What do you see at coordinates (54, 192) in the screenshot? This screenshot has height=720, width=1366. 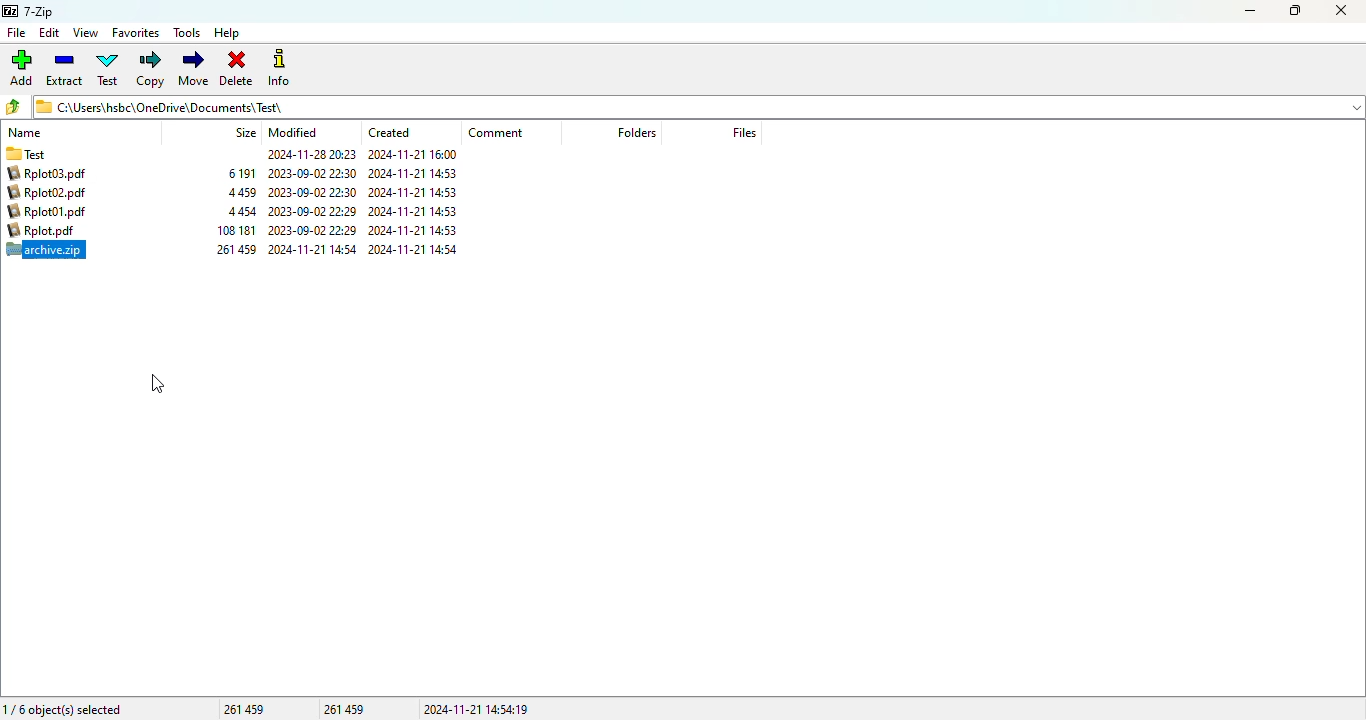 I see `Rplot03.pdf ` at bounding box center [54, 192].